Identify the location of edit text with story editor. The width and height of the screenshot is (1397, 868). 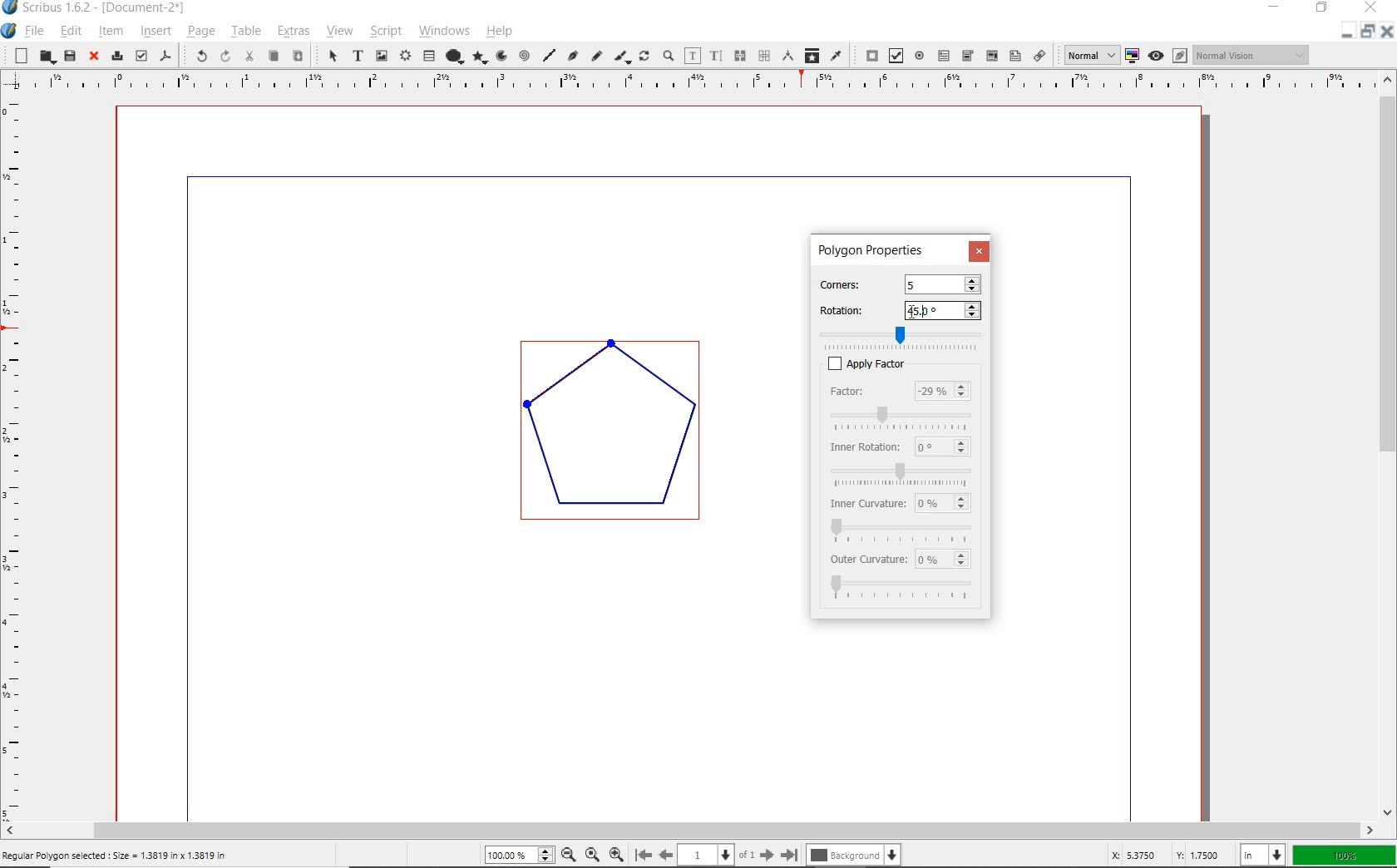
(717, 55).